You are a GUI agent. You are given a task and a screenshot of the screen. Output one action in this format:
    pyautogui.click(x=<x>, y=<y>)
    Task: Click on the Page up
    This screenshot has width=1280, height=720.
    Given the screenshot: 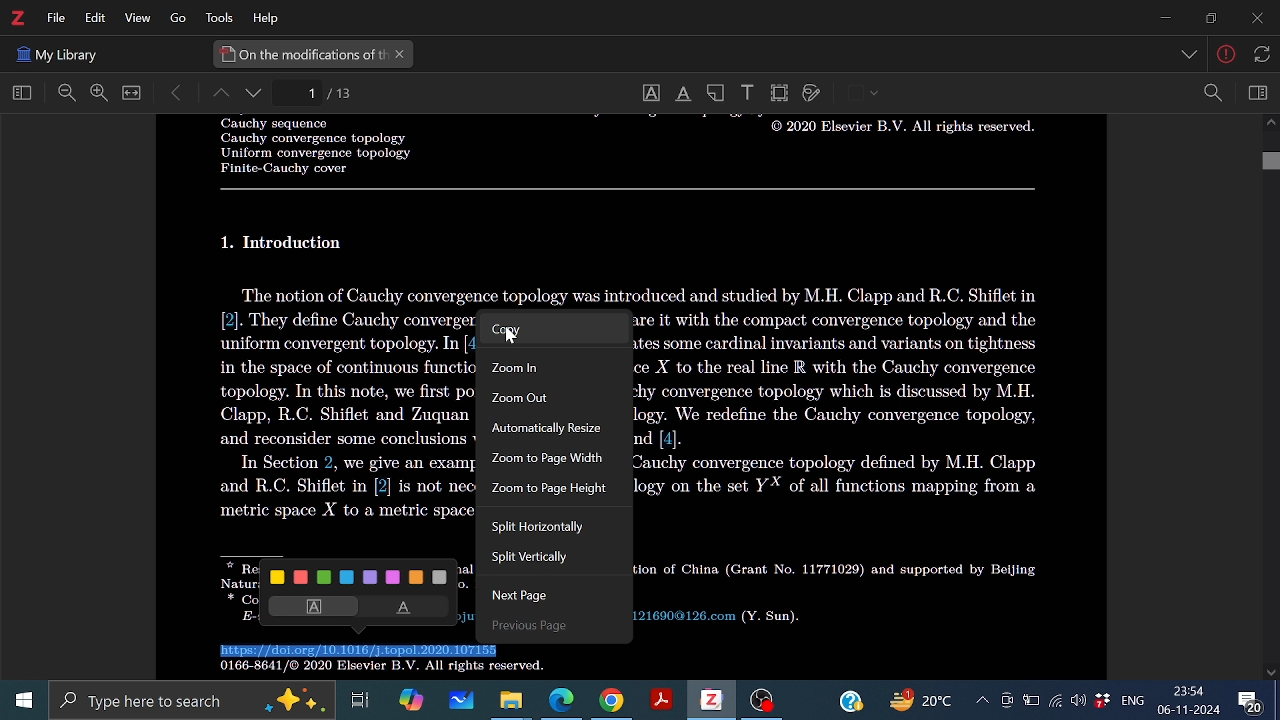 What is the action you would take?
    pyautogui.click(x=219, y=95)
    